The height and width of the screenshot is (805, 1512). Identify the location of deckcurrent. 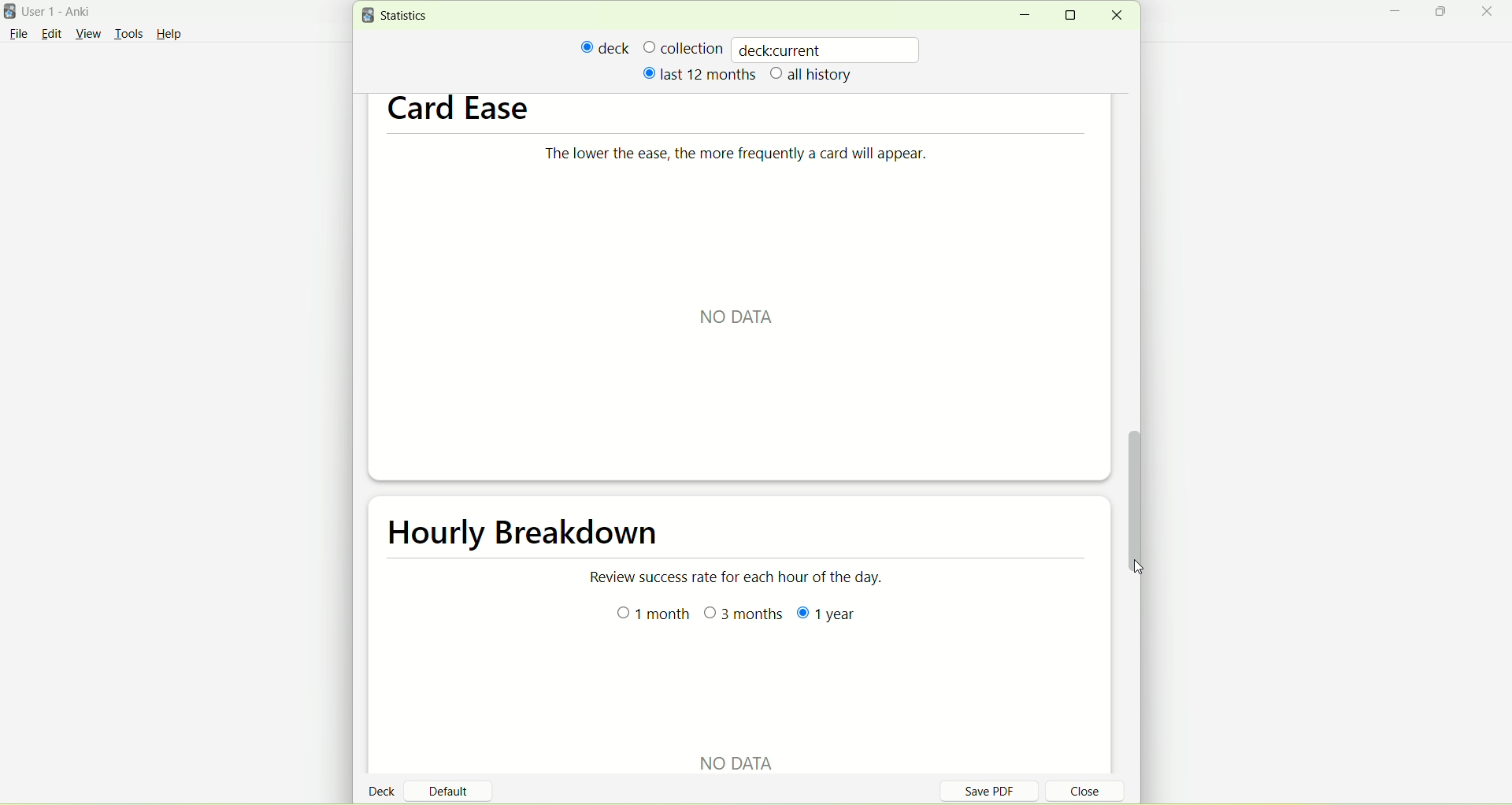
(828, 49).